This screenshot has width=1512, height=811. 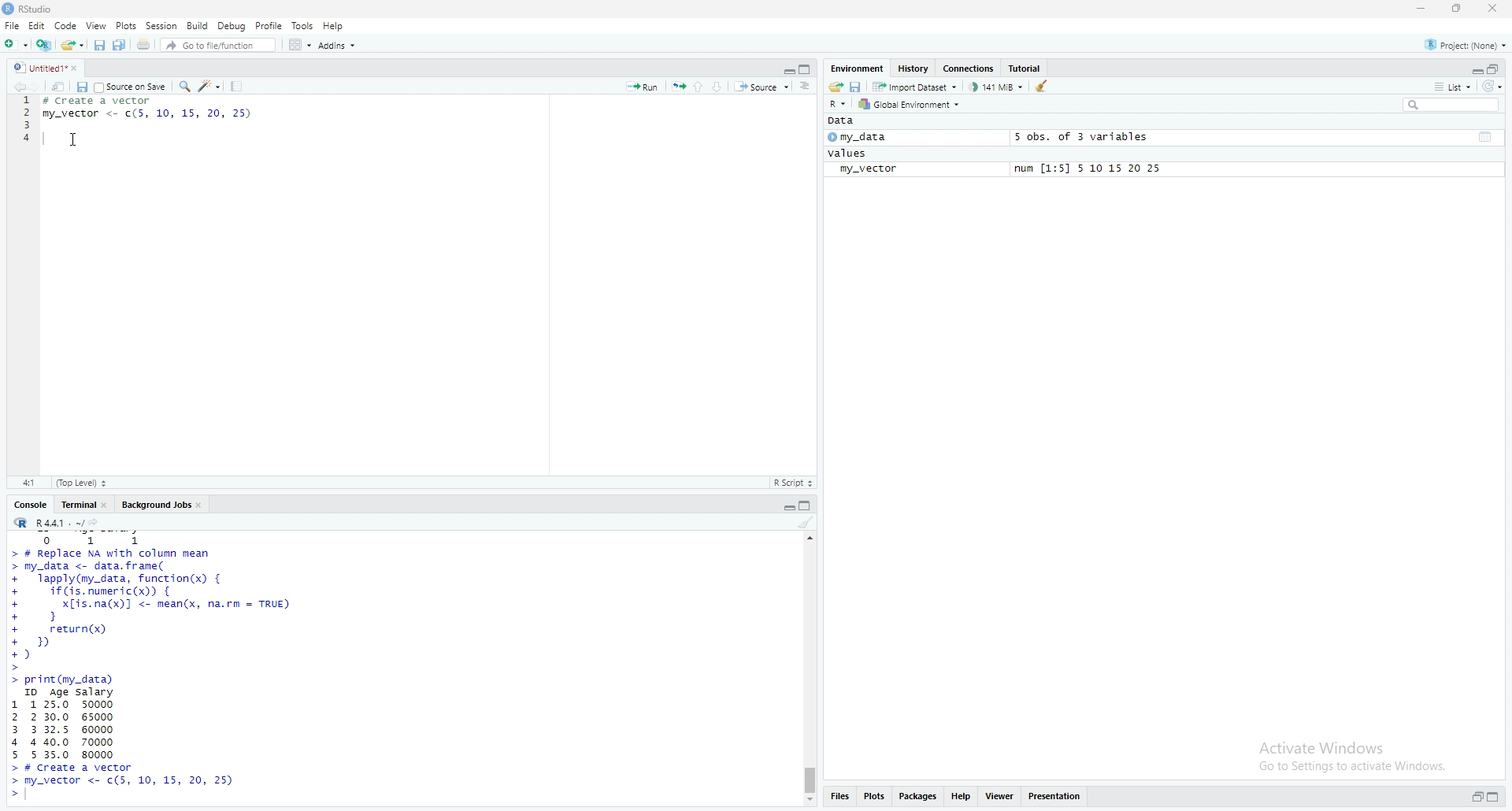 What do you see at coordinates (1488, 137) in the screenshot?
I see `collapse` at bounding box center [1488, 137].